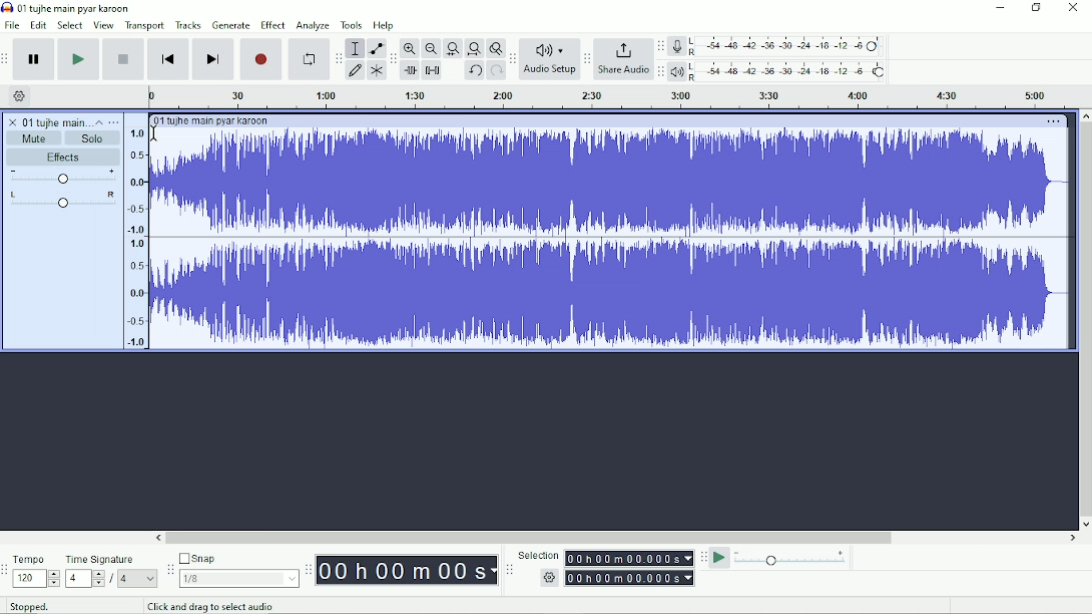 The width and height of the screenshot is (1092, 614). What do you see at coordinates (99, 122) in the screenshot?
I see `Collapse` at bounding box center [99, 122].